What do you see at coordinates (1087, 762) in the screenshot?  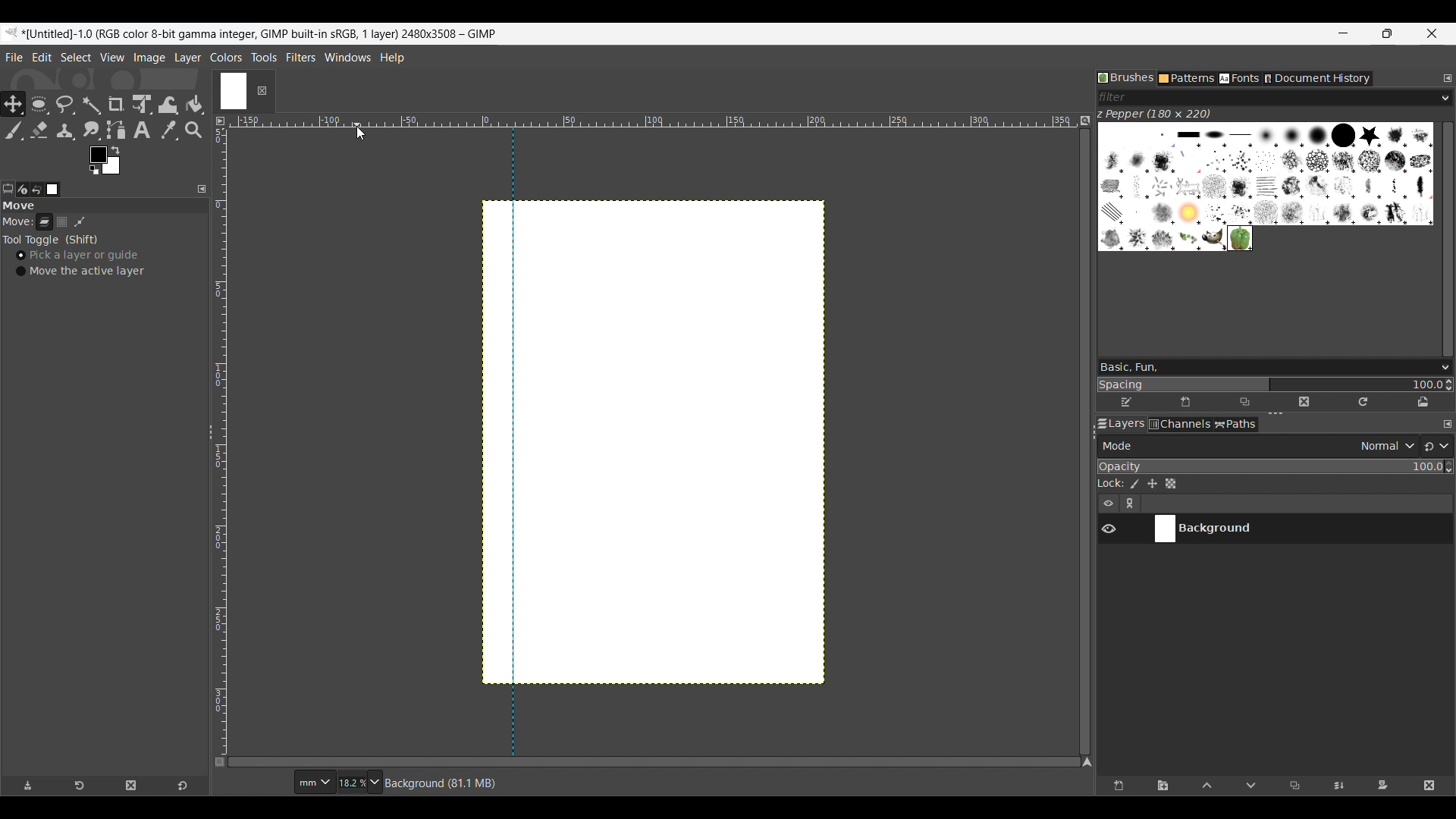 I see `Navigate the image display` at bounding box center [1087, 762].